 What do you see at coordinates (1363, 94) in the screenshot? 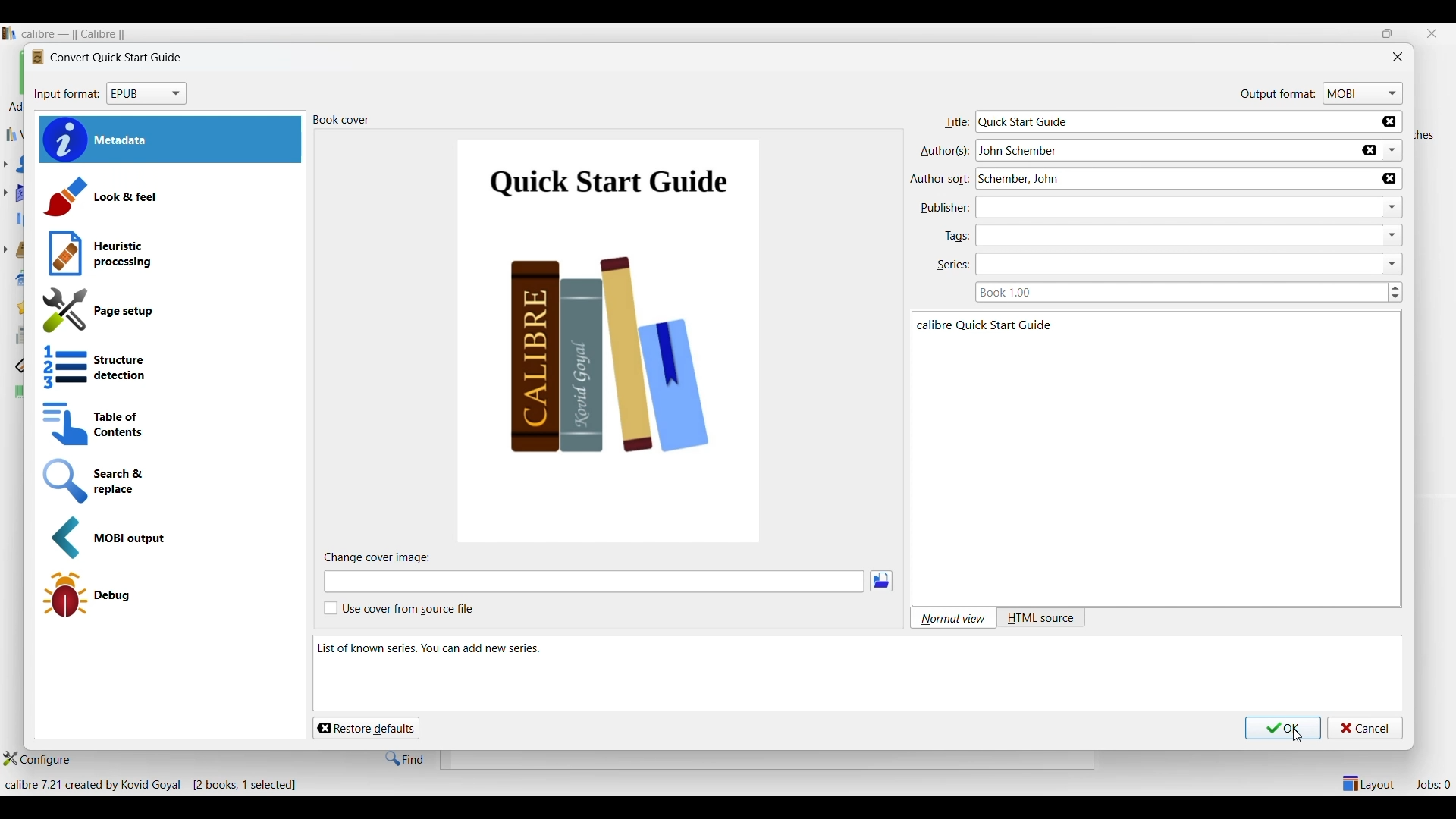
I see `MOBI format selected` at bounding box center [1363, 94].